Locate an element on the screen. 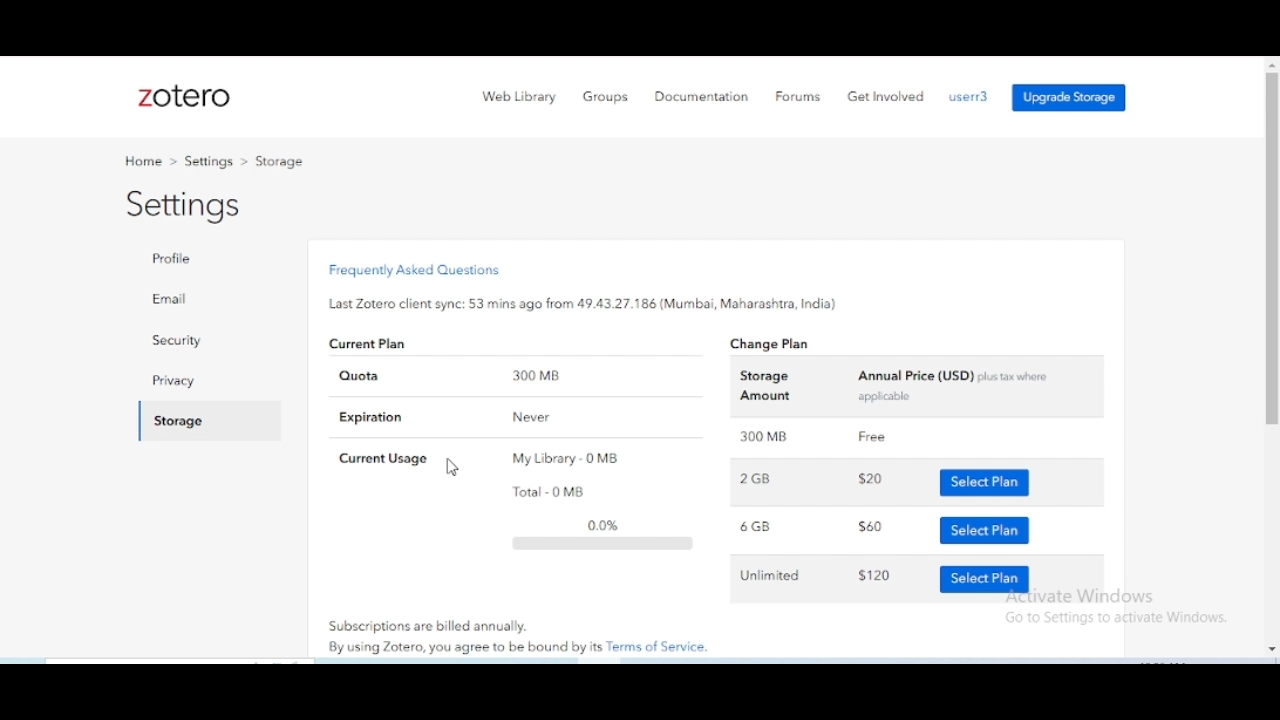 The width and height of the screenshot is (1280, 720). settings is located at coordinates (210, 161).